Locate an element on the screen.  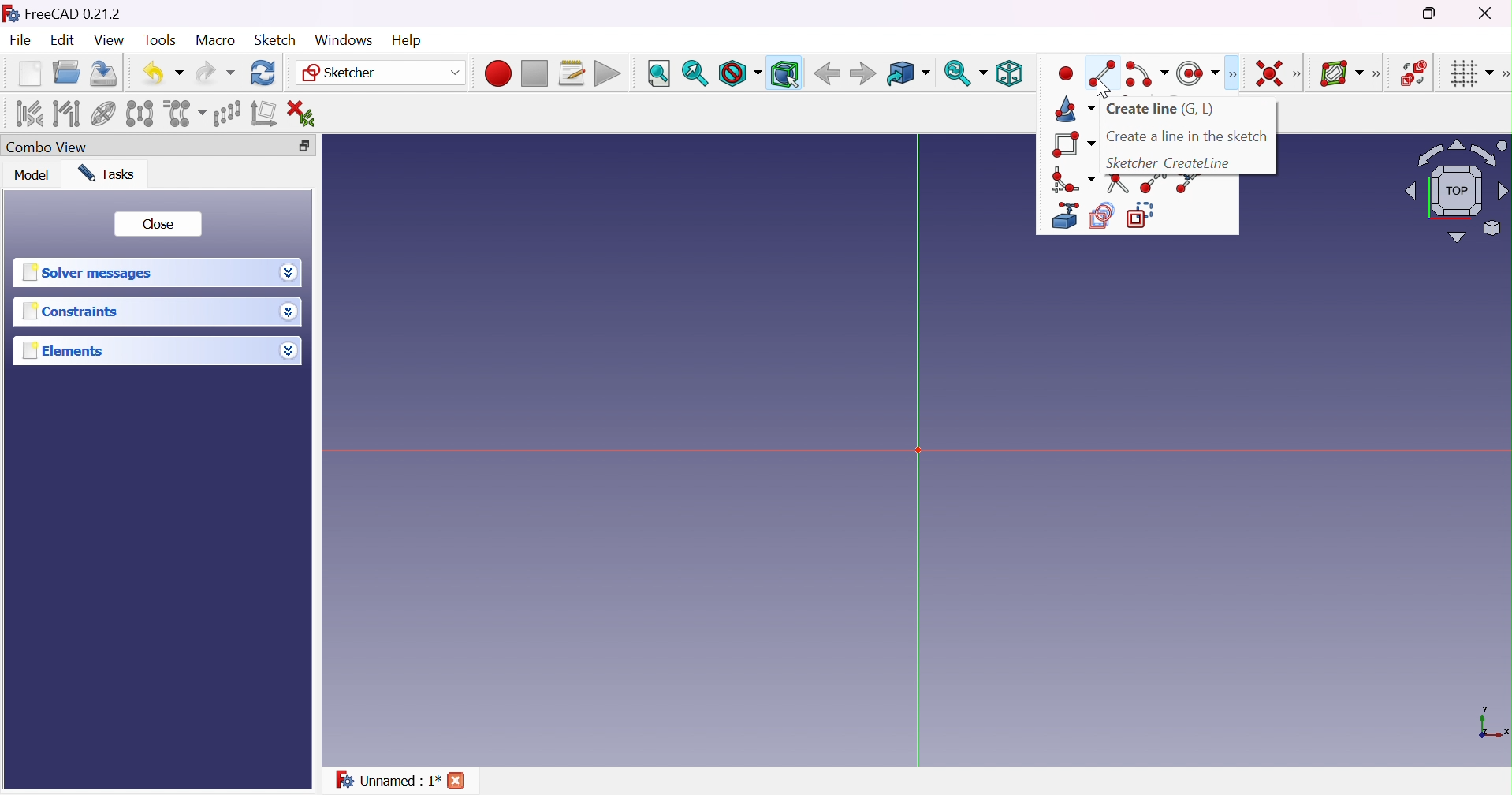
Restore down is located at coordinates (1432, 14).